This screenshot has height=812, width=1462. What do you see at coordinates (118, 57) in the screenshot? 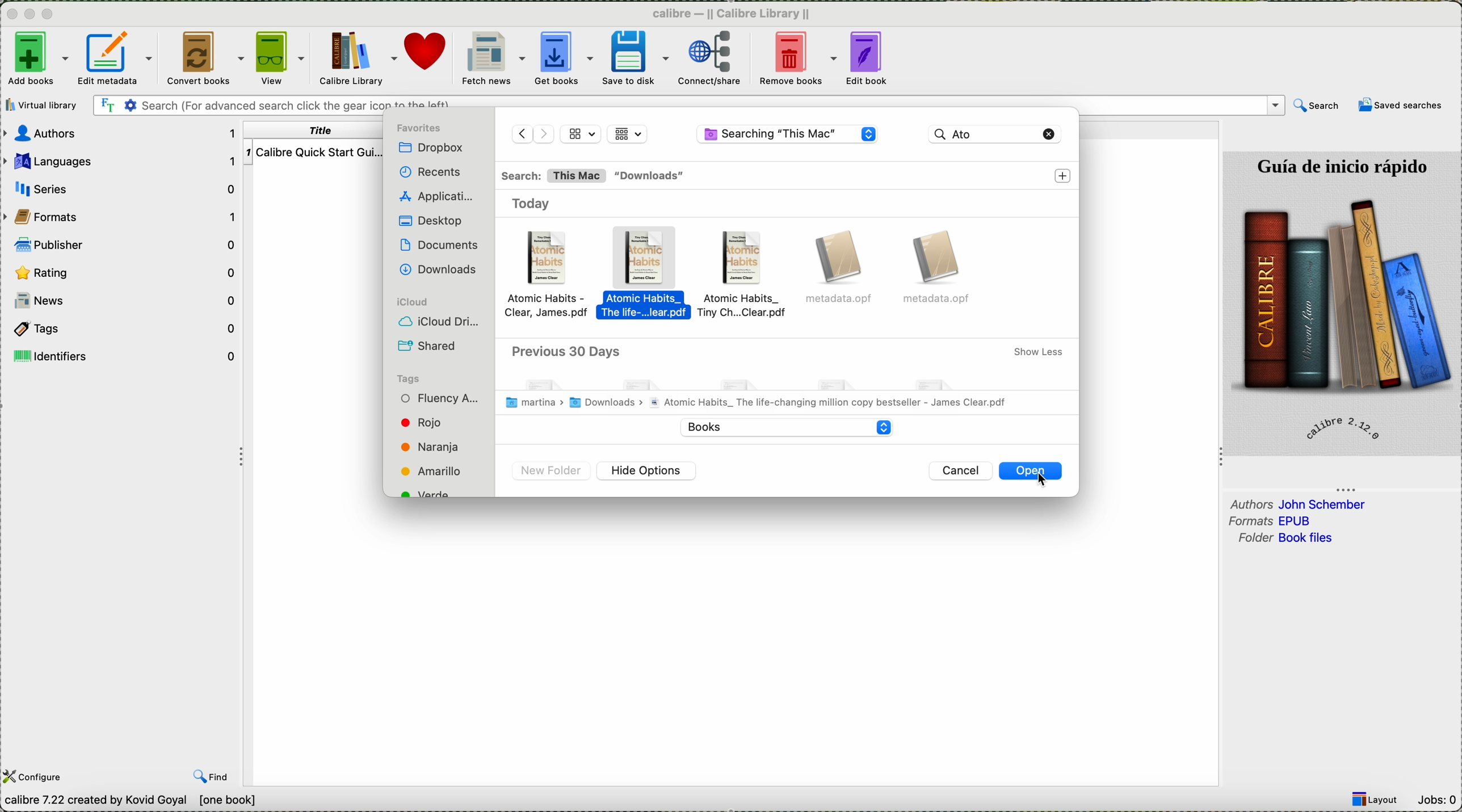
I see `edit metadata` at bounding box center [118, 57].